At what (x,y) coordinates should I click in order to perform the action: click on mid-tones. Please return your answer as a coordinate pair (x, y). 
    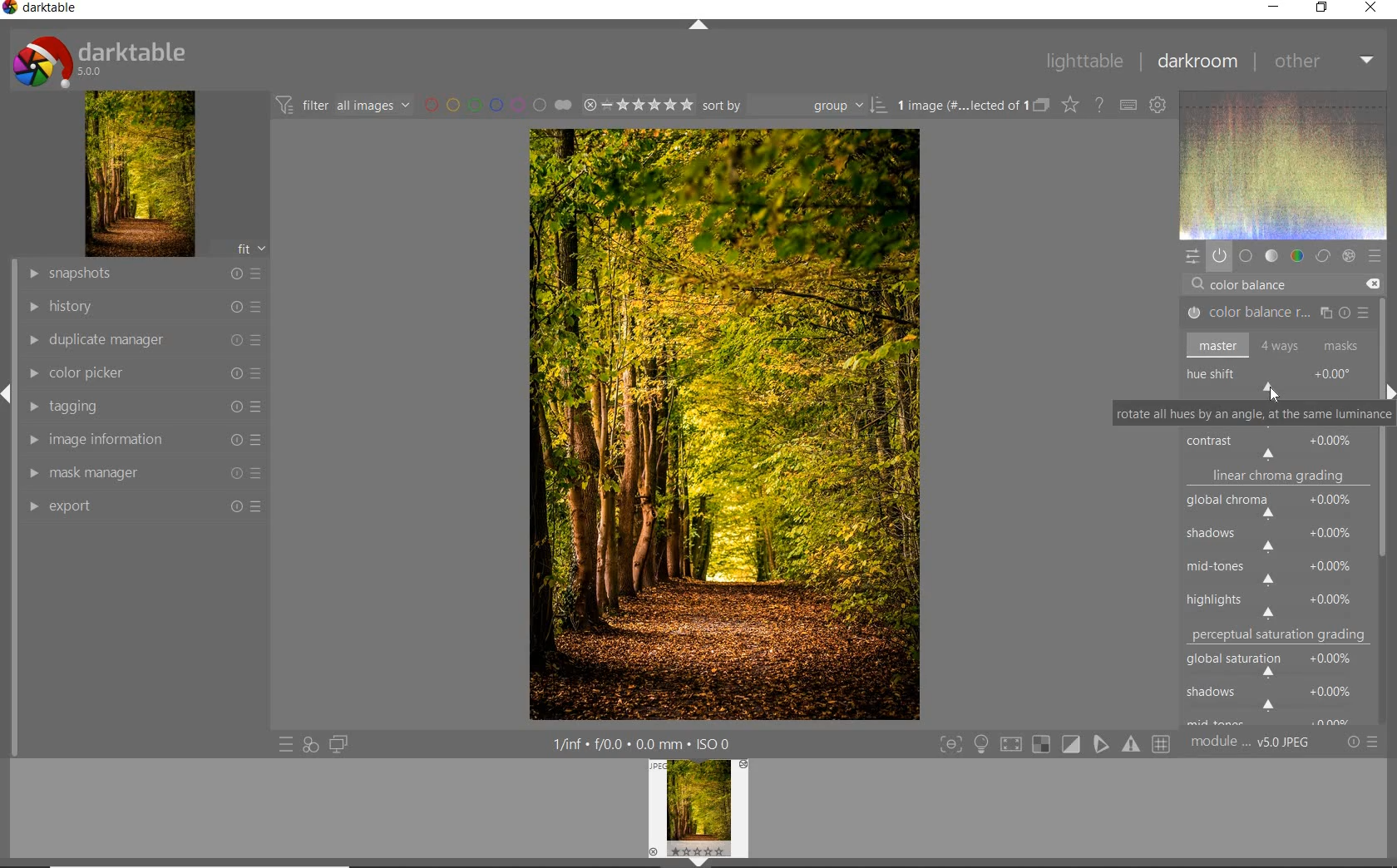
    Looking at the image, I should click on (1274, 570).